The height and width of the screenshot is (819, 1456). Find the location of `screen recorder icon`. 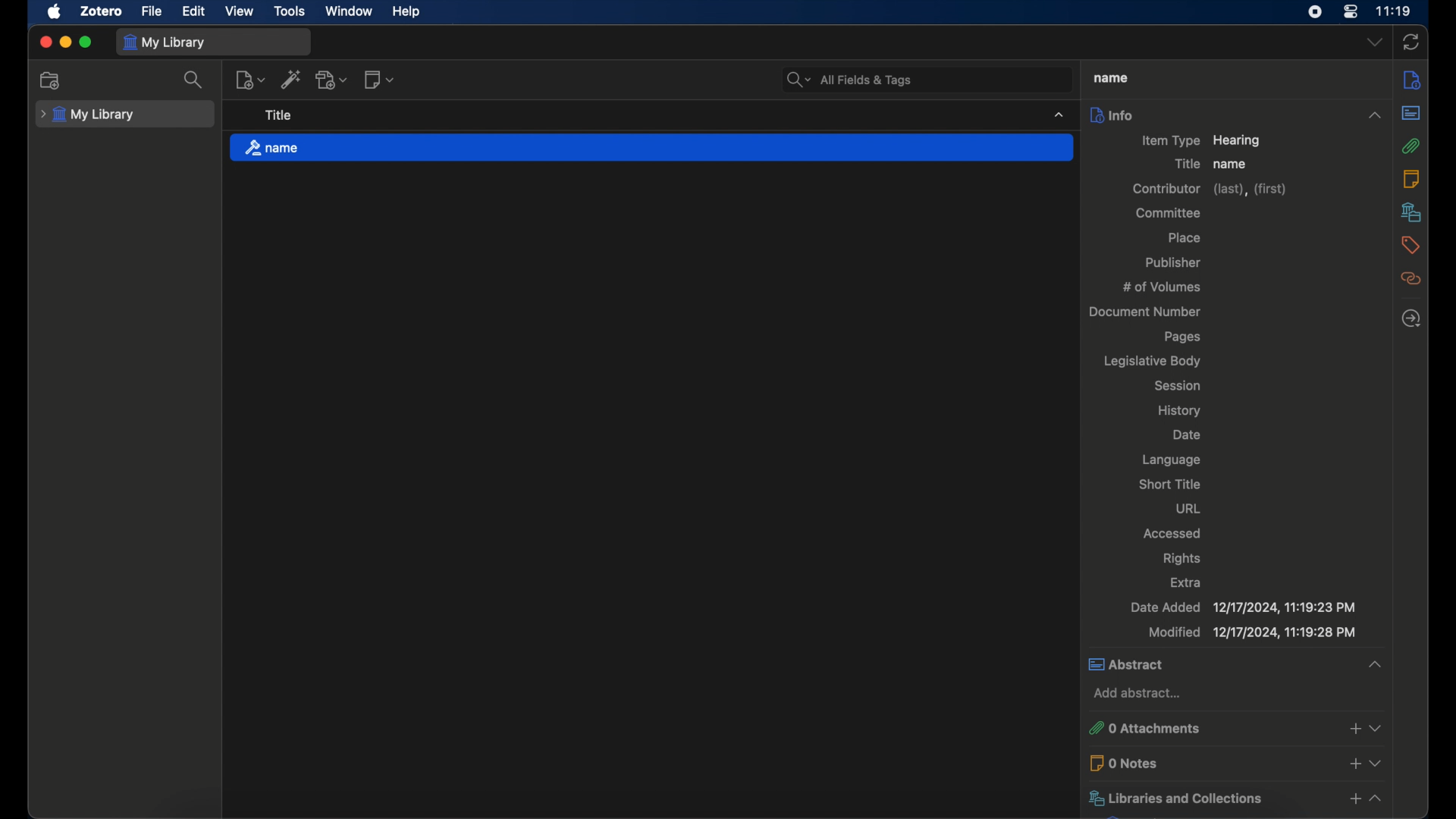

screen recorder icon is located at coordinates (1314, 11).